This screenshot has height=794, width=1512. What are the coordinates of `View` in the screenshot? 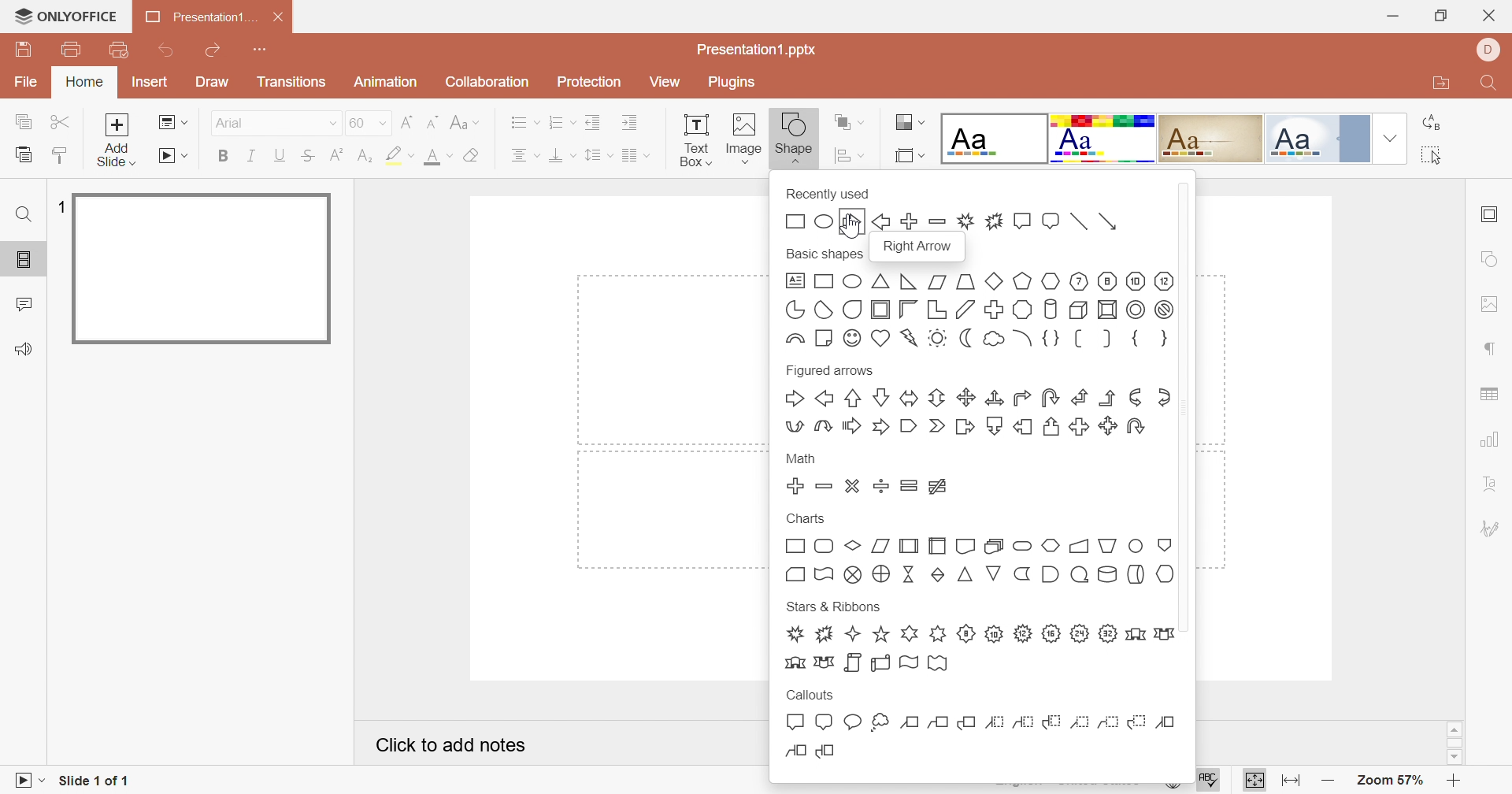 It's located at (665, 83).